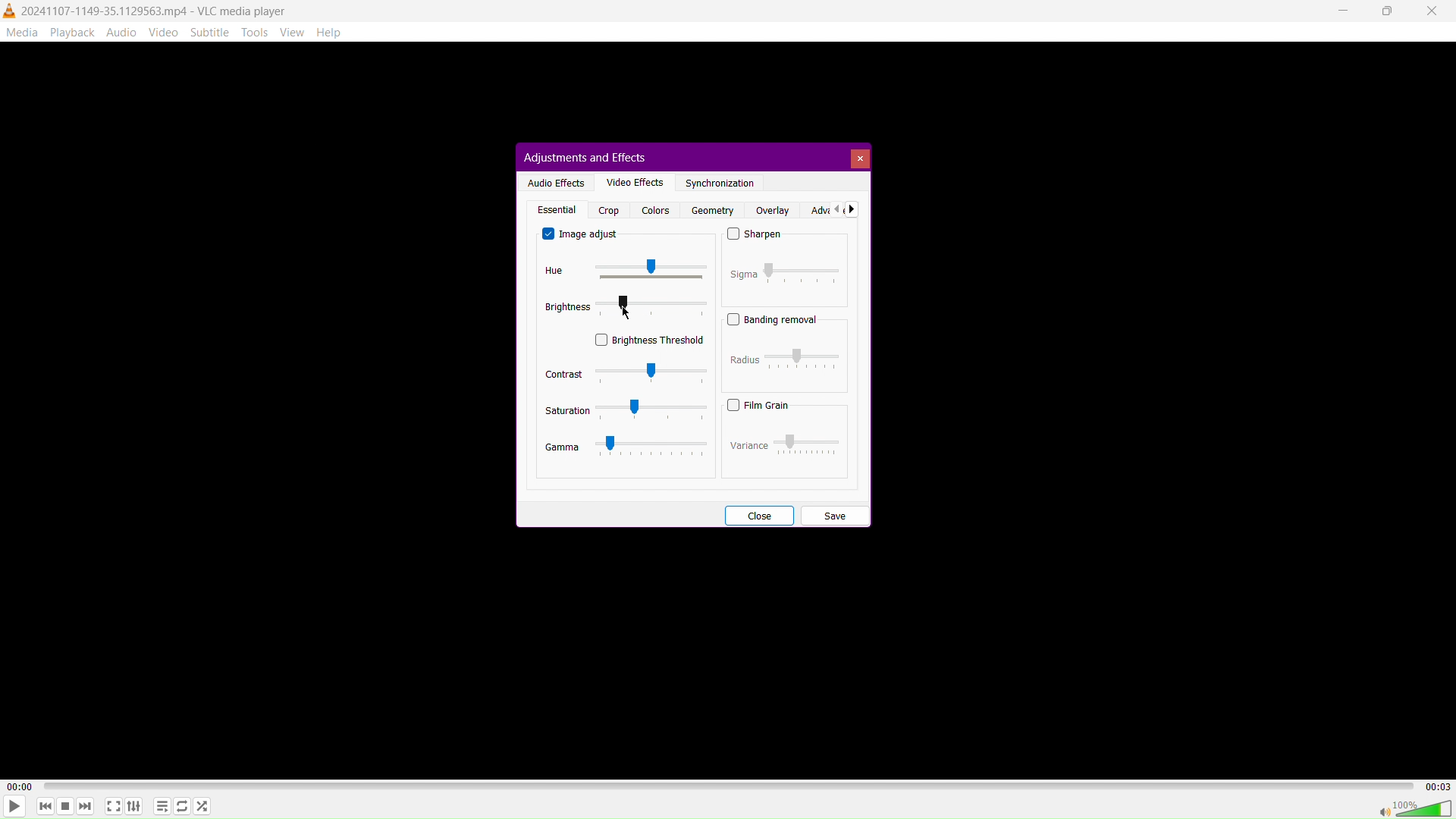  What do you see at coordinates (755, 236) in the screenshot?
I see `Sharpen` at bounding box center [755, 236].